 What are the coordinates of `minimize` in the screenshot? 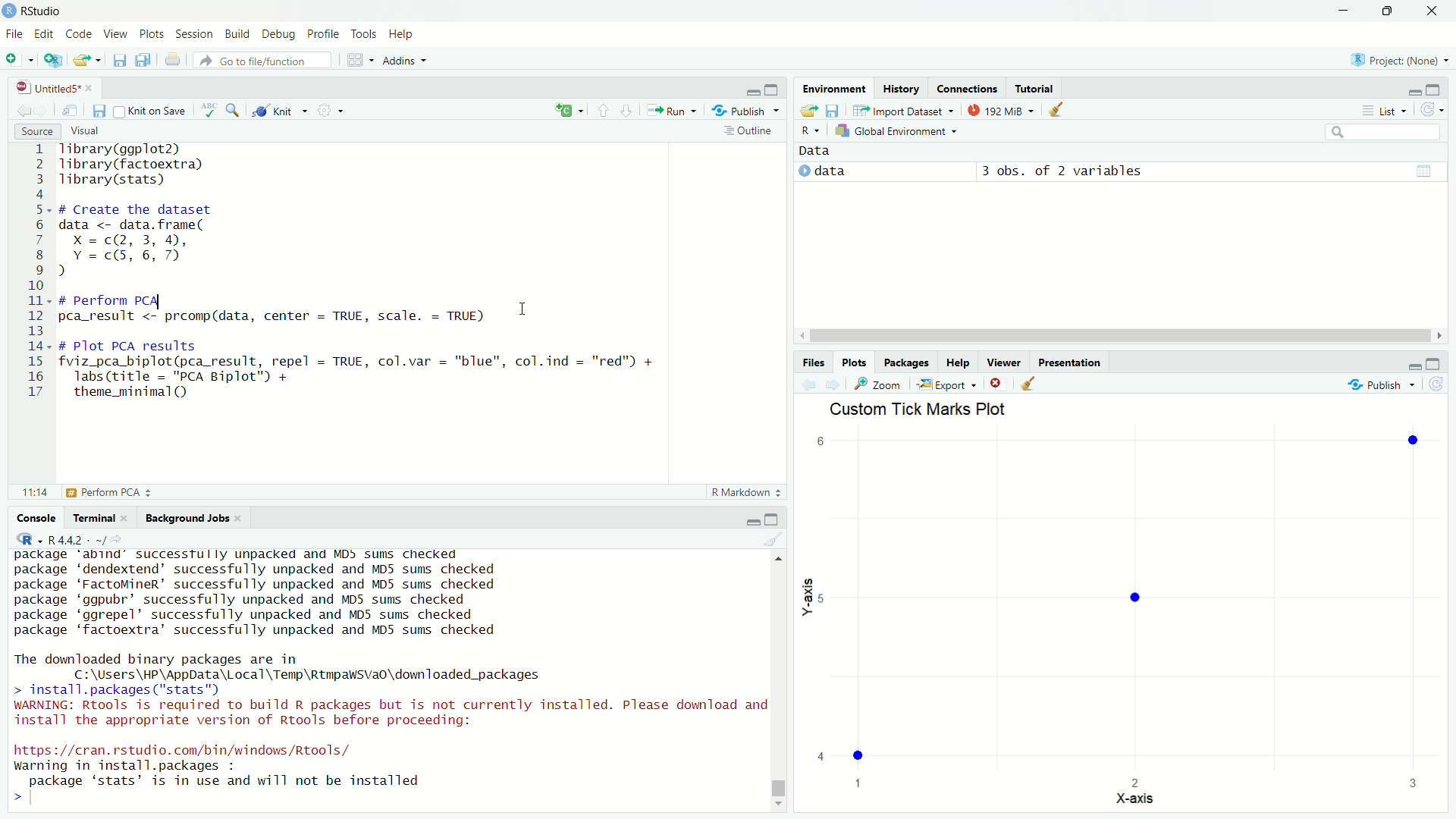 It's located at (1344, 11).